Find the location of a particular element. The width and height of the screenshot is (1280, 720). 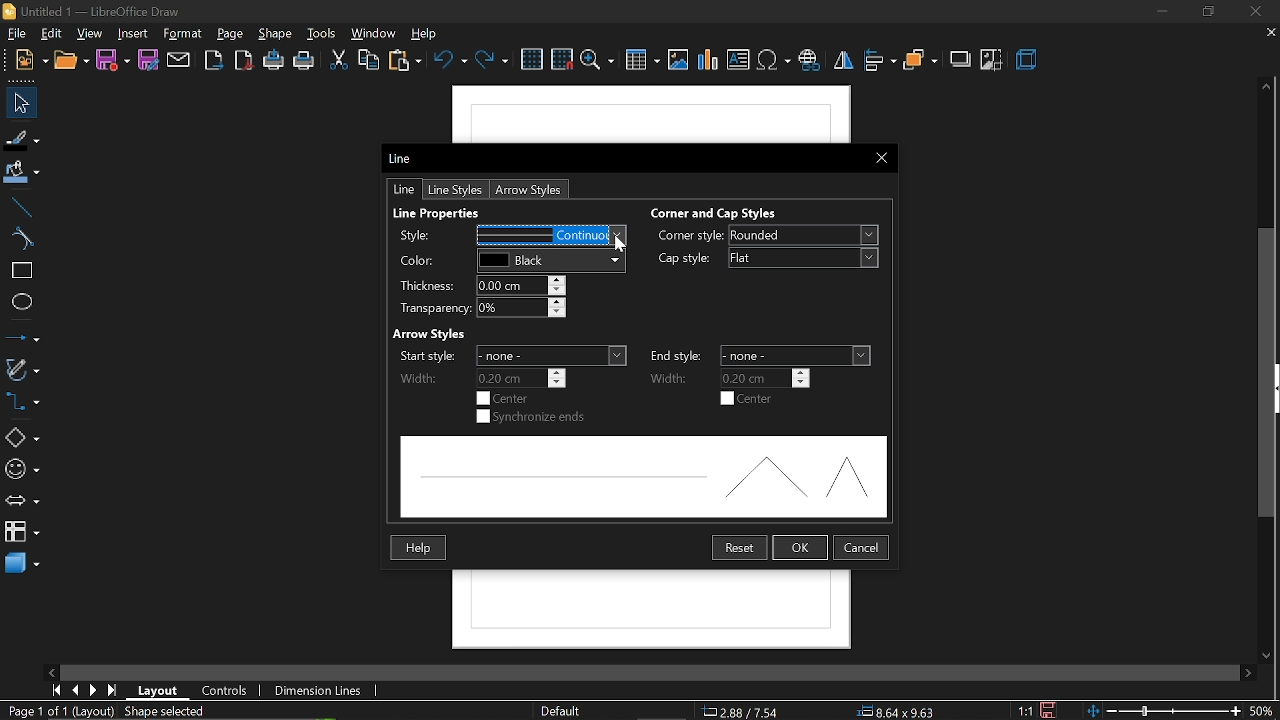

vertical scrollbar is located at coordinates (1269, 372).